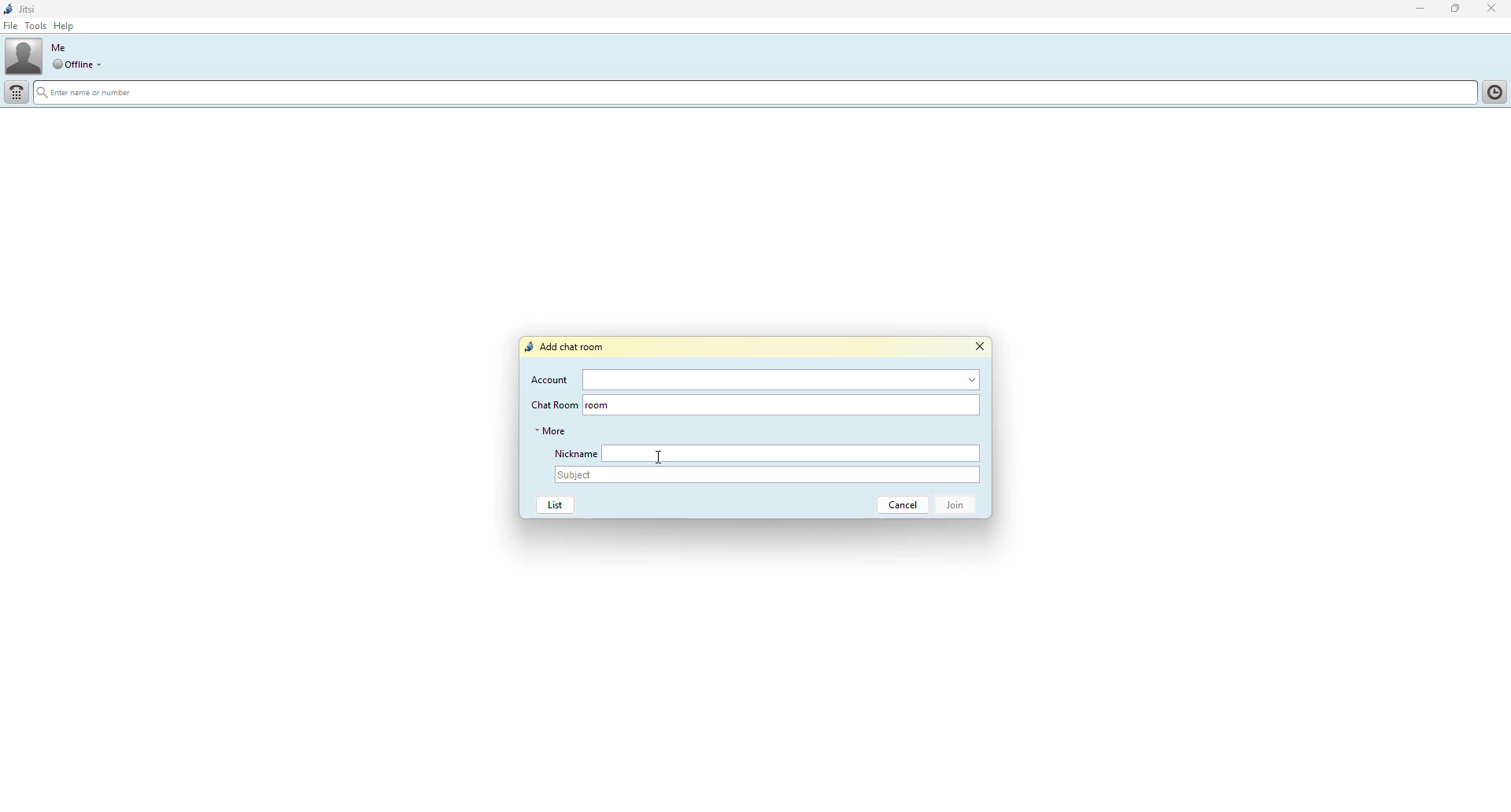  Describe the element at coordinates (755, 94) in the screenshot. I see `search name` at that location.